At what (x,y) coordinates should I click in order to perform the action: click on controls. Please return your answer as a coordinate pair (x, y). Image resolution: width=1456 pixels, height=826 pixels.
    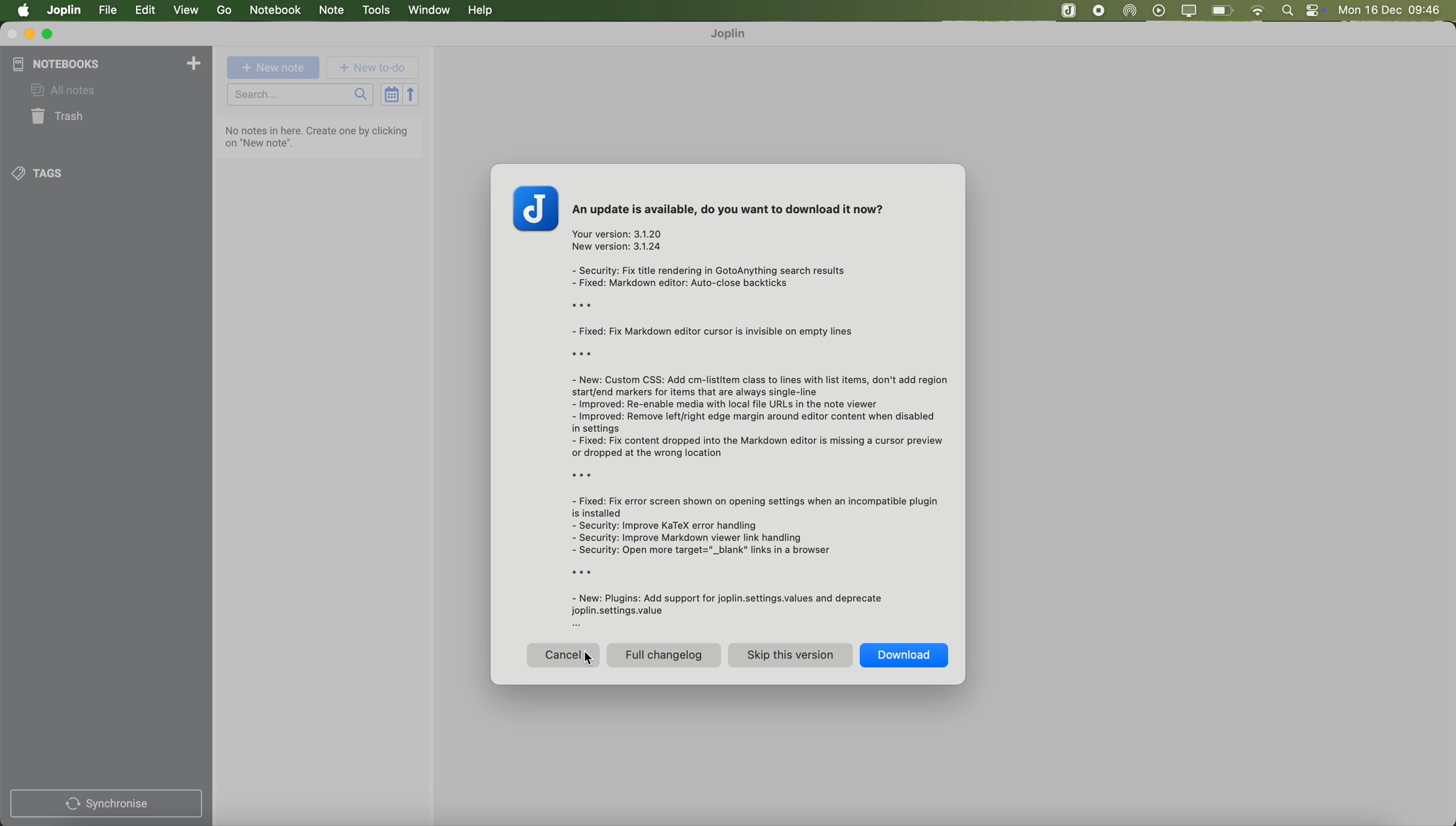
    Looking at the image, I should click on (1319, 11).